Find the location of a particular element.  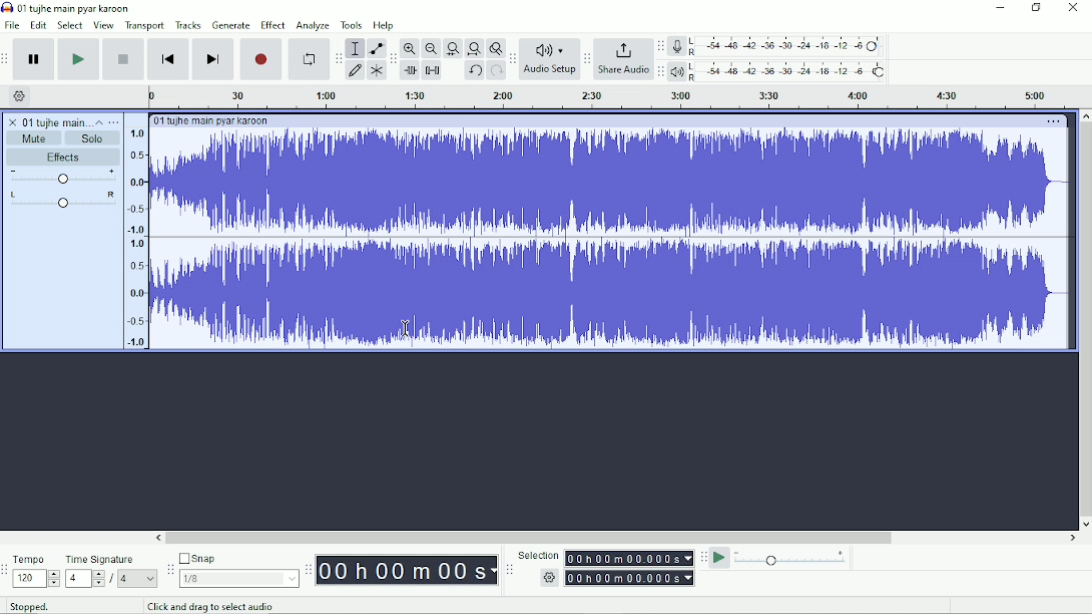

Audacity play-at-speed toolbar is located at coordinates (703, 558).